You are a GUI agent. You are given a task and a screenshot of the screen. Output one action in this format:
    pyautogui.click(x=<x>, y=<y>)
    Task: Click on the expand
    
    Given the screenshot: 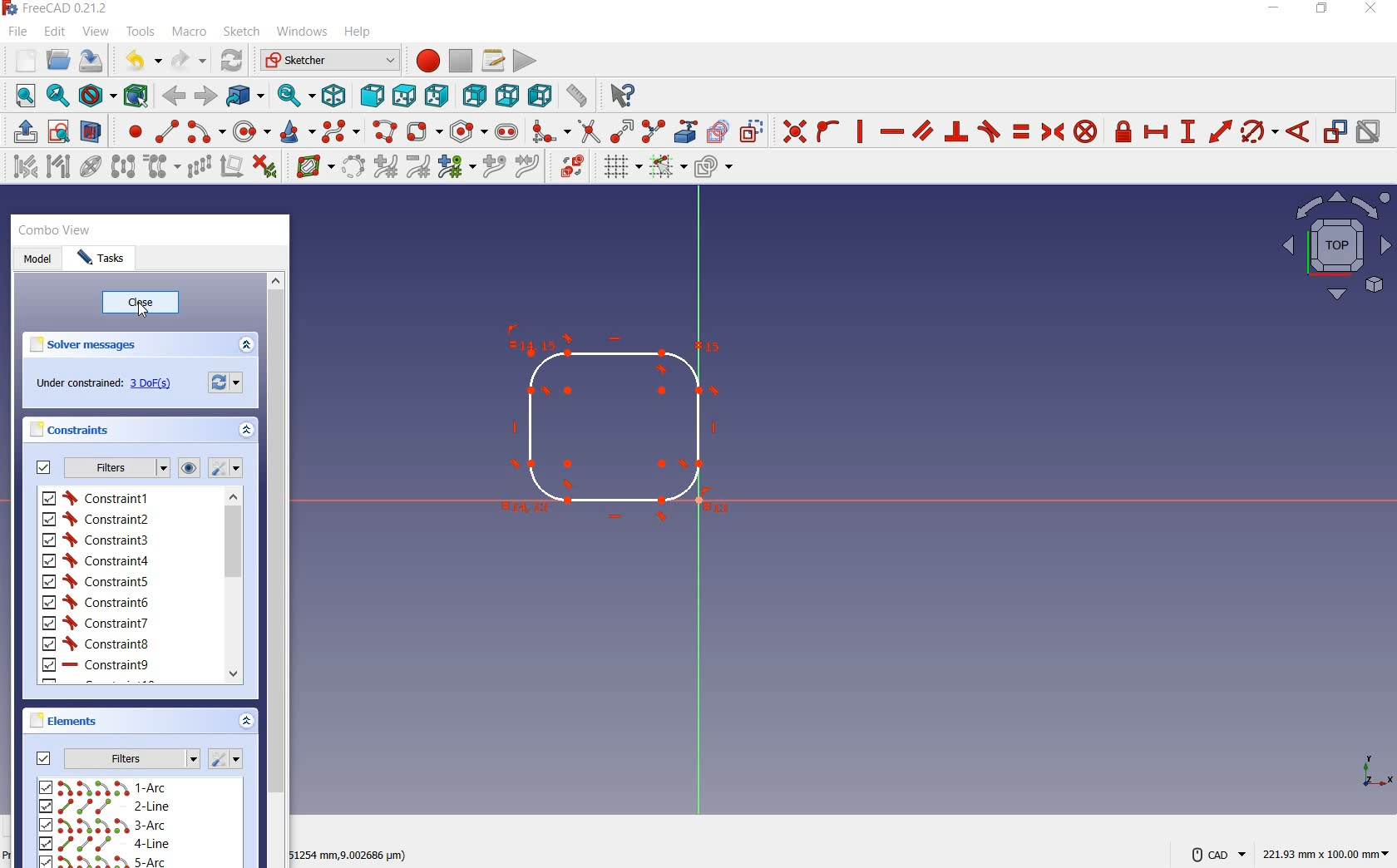 What is the action you would take?
    pyautogui.click(x=247, y=720)
    